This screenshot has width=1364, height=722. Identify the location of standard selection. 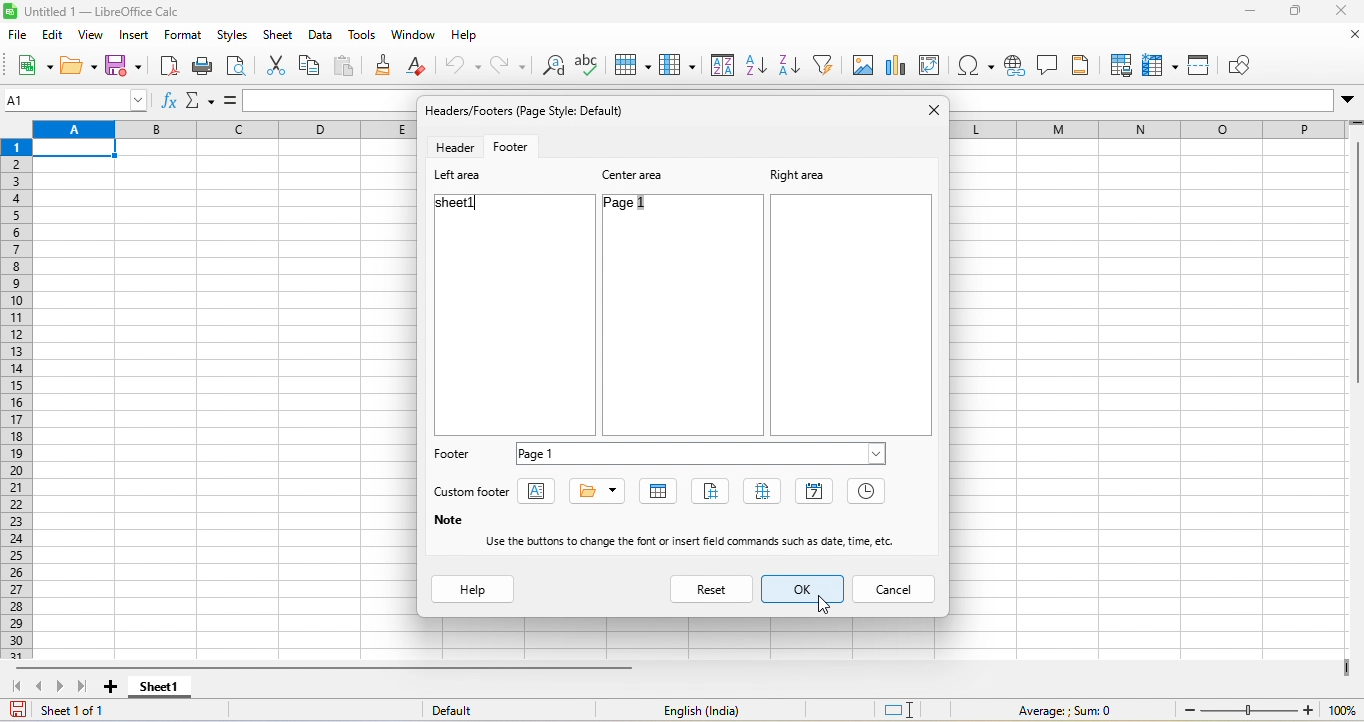
(906, 711).